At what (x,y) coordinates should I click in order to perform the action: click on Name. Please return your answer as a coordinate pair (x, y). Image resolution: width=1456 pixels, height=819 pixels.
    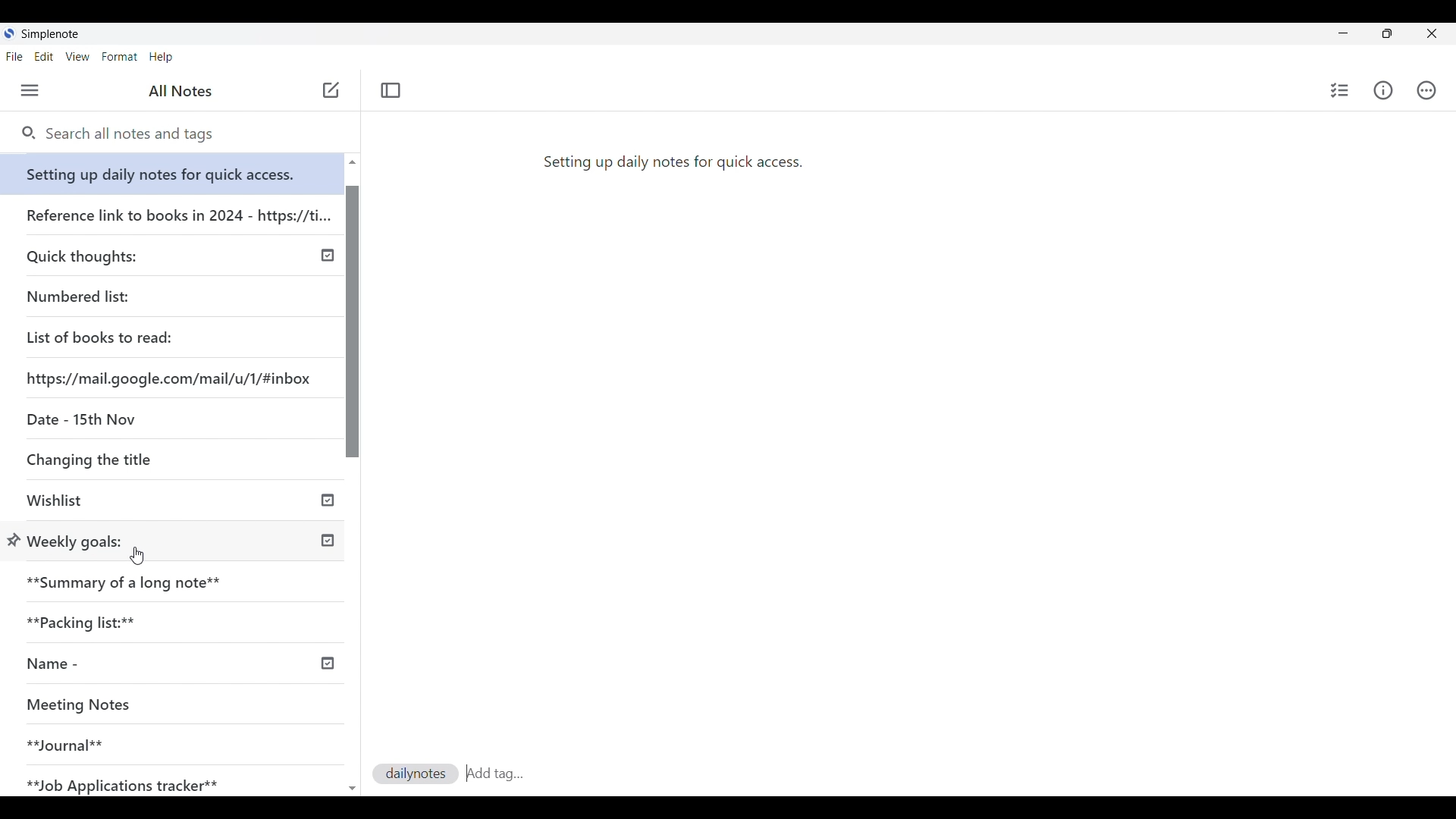
    Looking at the image, I should click on (108, 664).